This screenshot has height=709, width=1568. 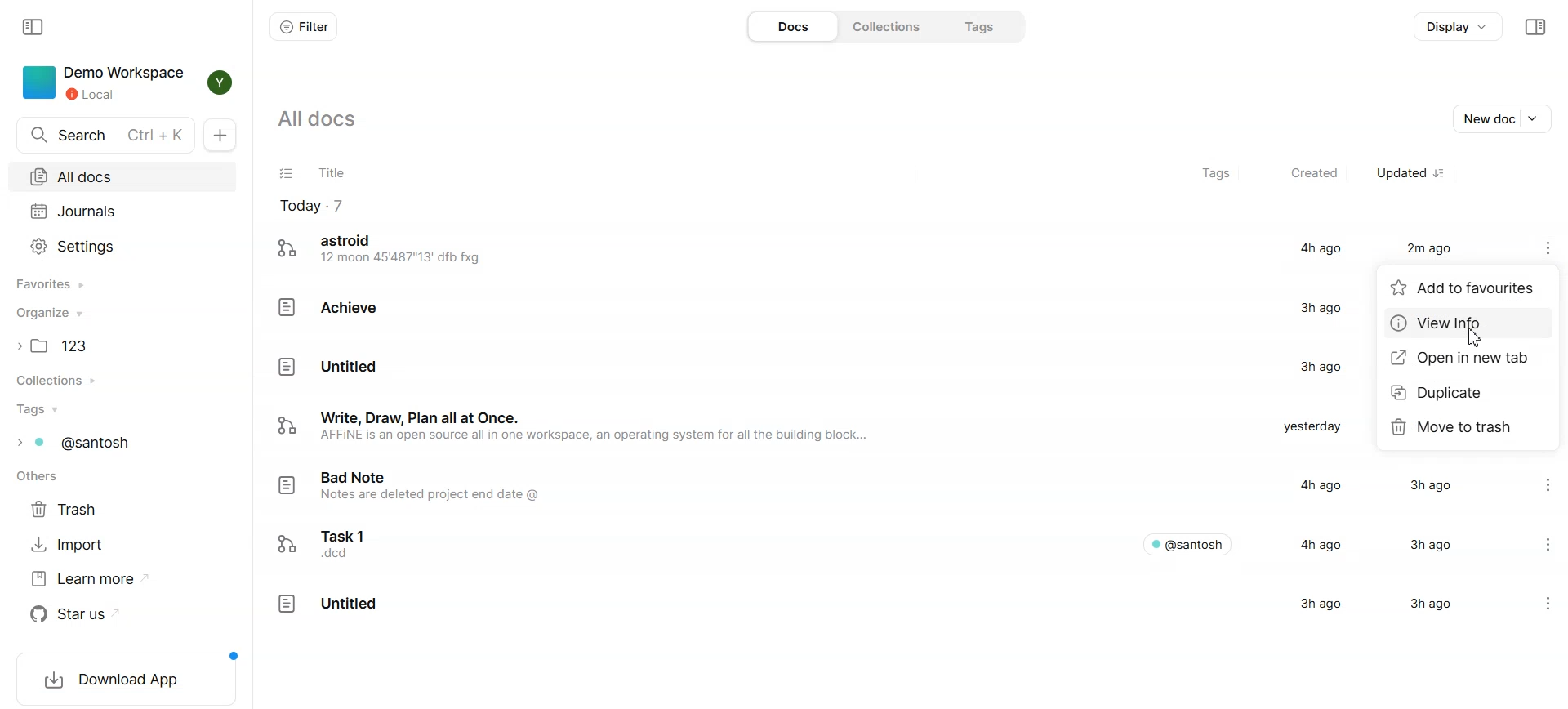 What do you see at coordinates (121, 443) in the screenshot?
I see `Tags` at bounding box center [121, 443].